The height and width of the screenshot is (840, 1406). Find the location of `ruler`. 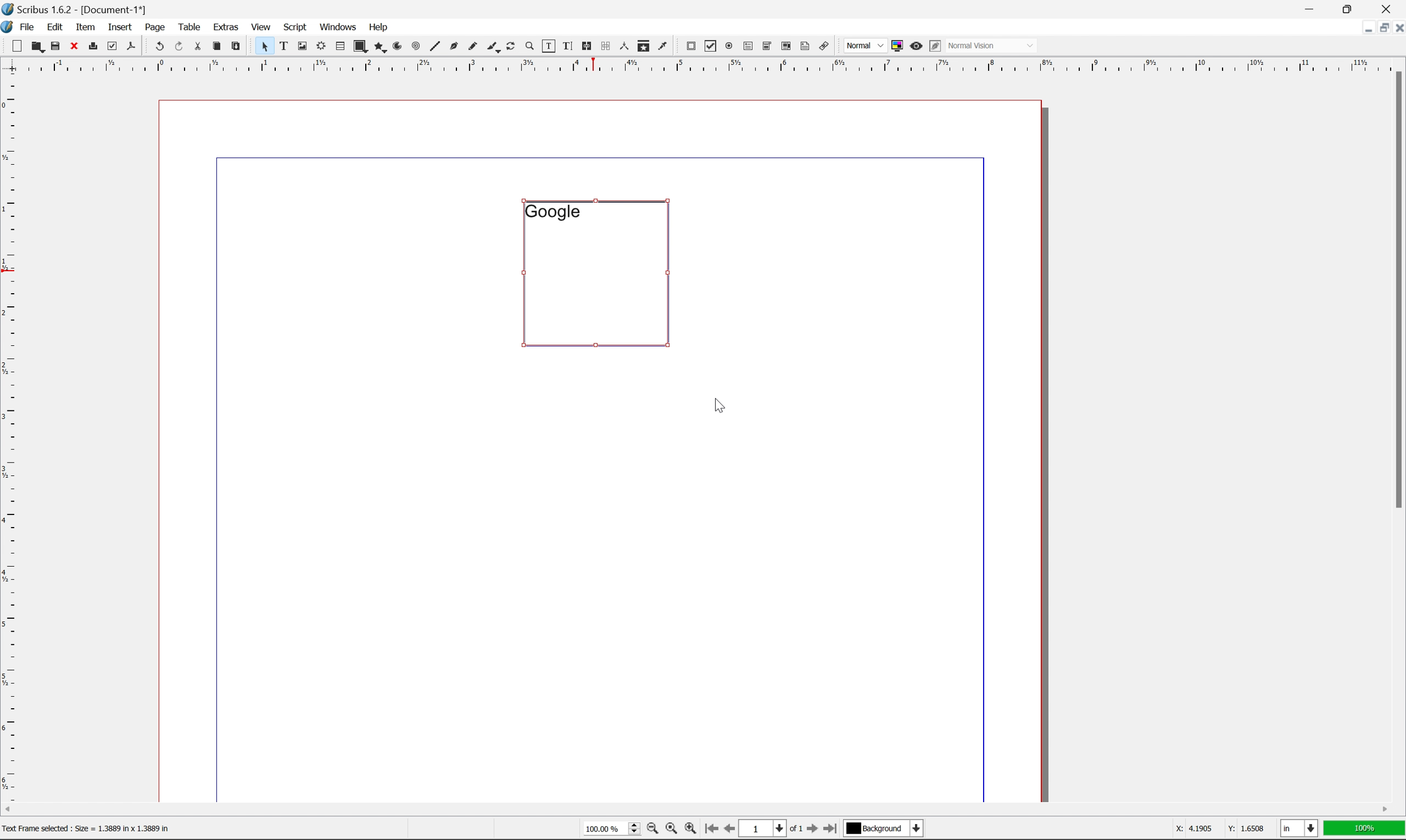

ruler is located at coordinates (702, 64).